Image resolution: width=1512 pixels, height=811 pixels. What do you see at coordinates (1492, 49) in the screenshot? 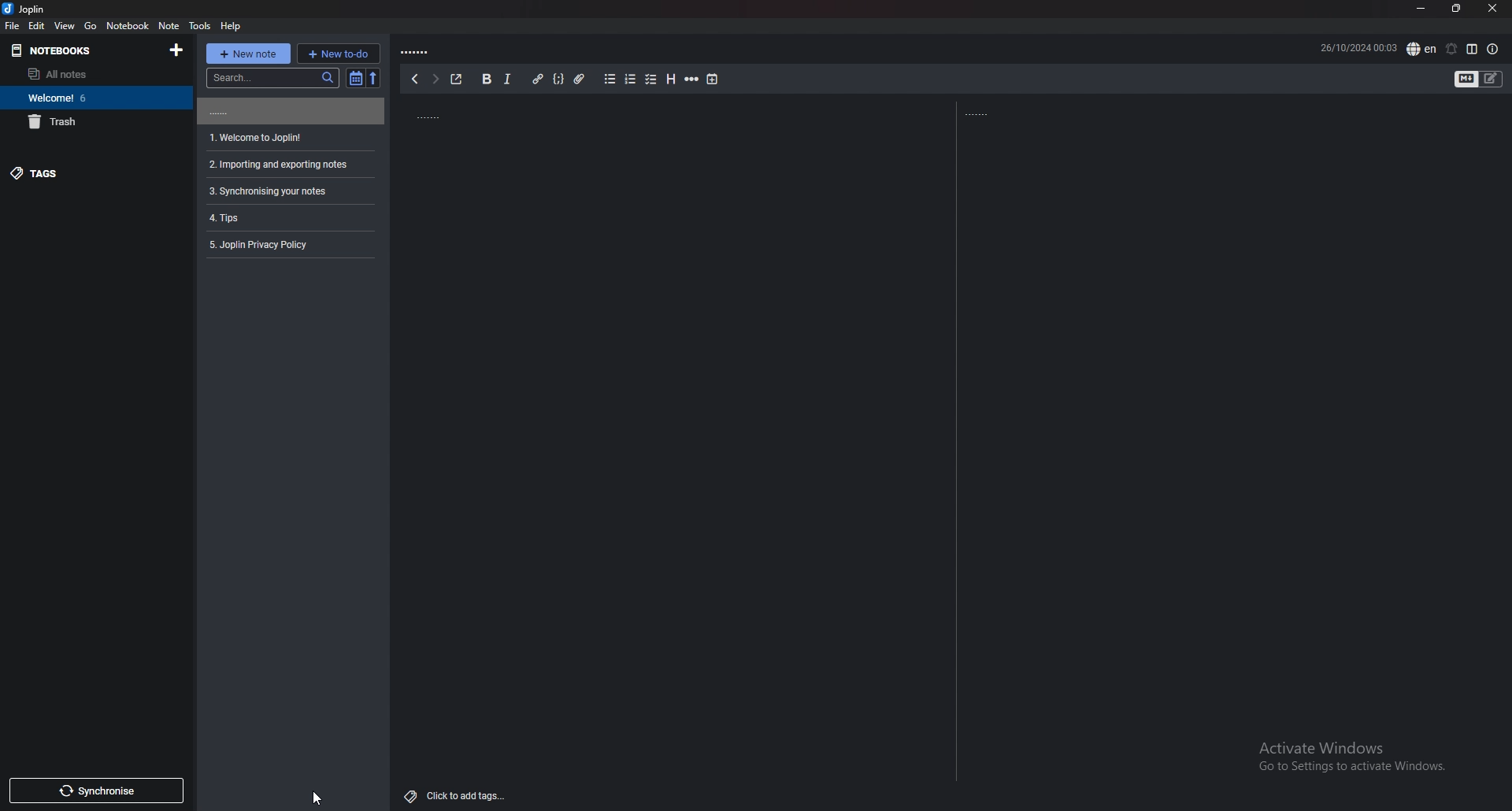
I see `note properties` at bounding box center [1492, 49].